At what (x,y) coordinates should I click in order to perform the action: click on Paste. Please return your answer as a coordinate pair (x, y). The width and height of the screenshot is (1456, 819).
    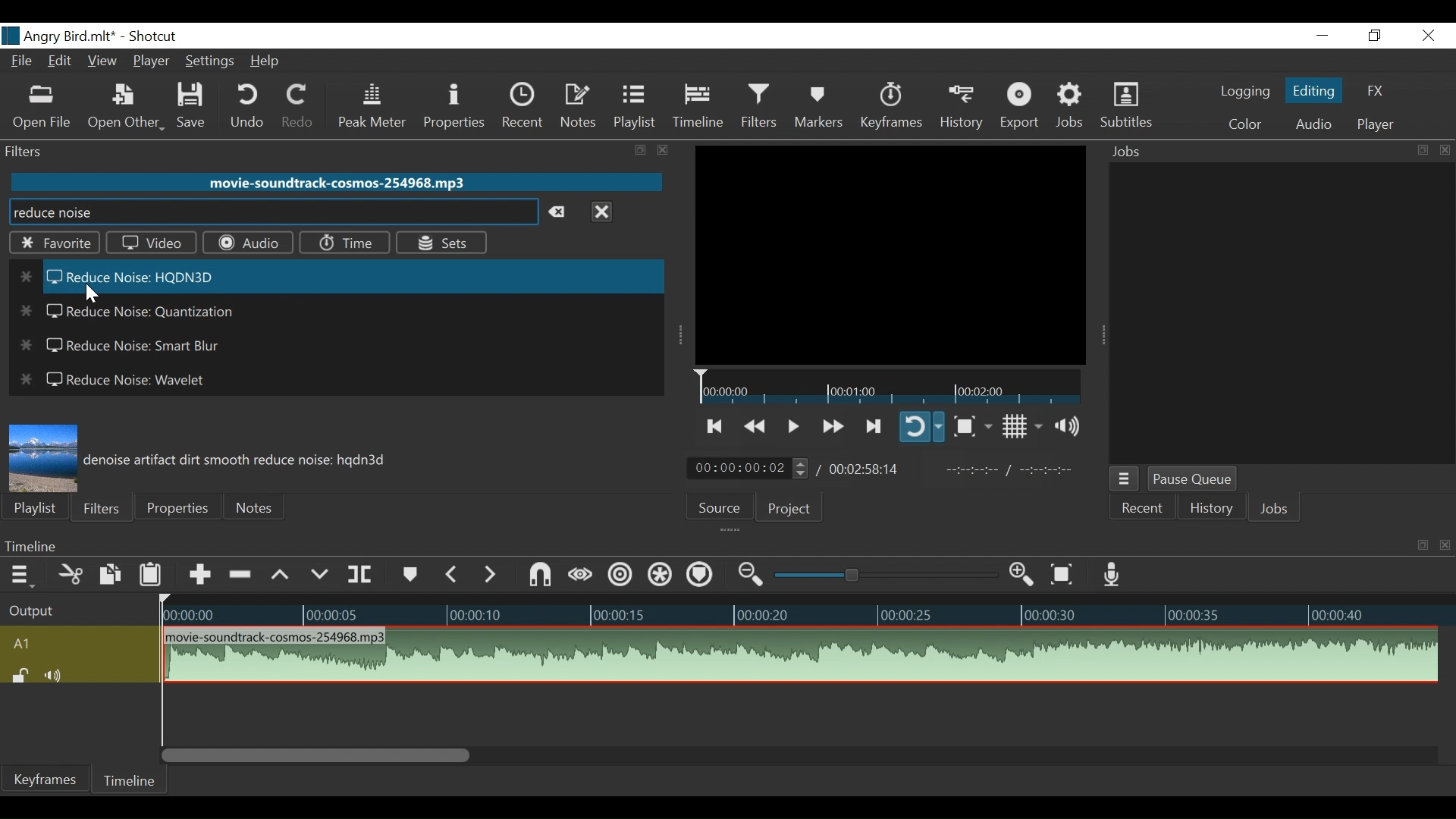
    Looking at the image, I should click on (152, 574).